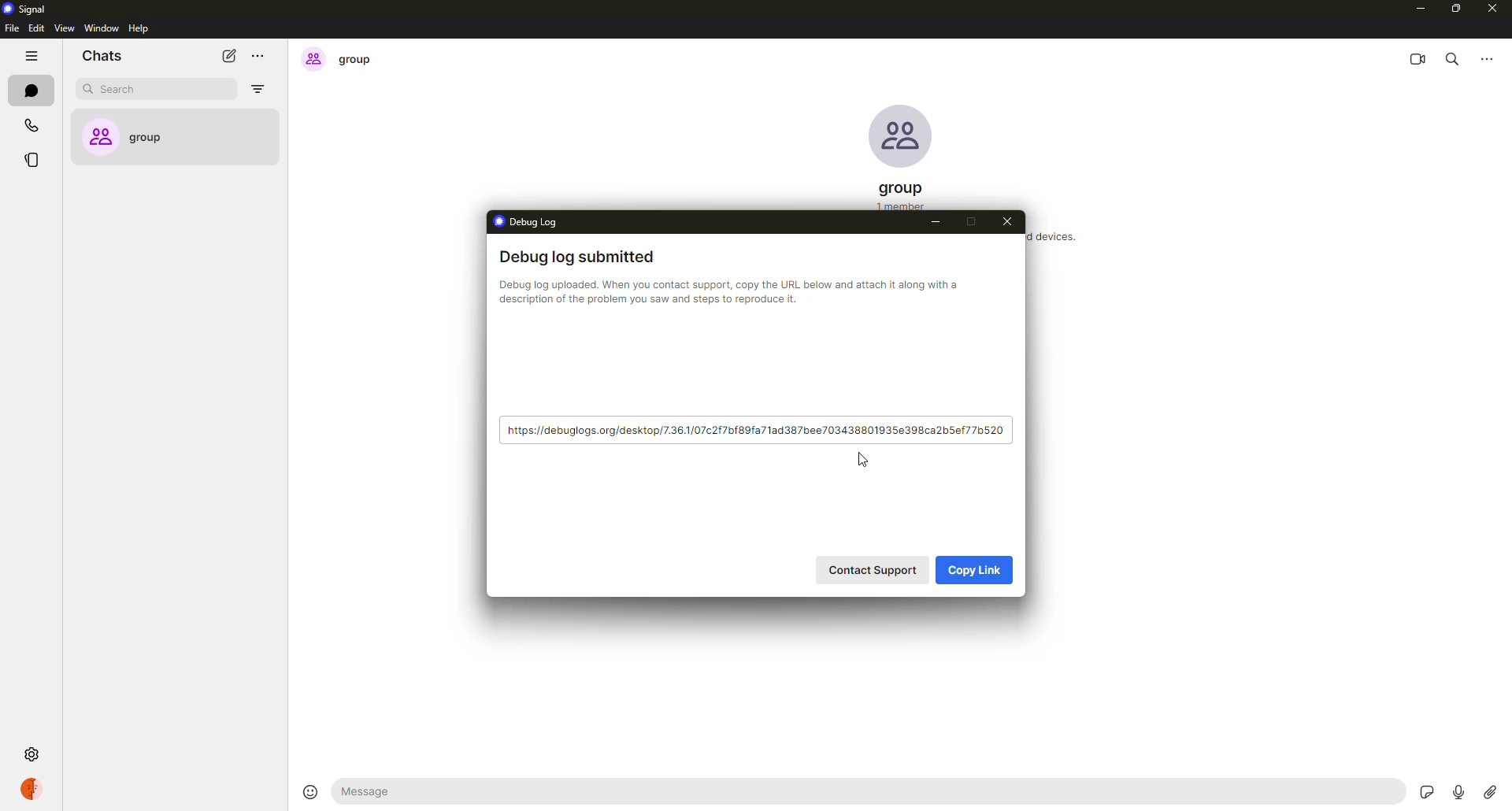  What do you see at coordinates (102, 29) in the screenshot?
I see `window` at bounding box center [102, 29].